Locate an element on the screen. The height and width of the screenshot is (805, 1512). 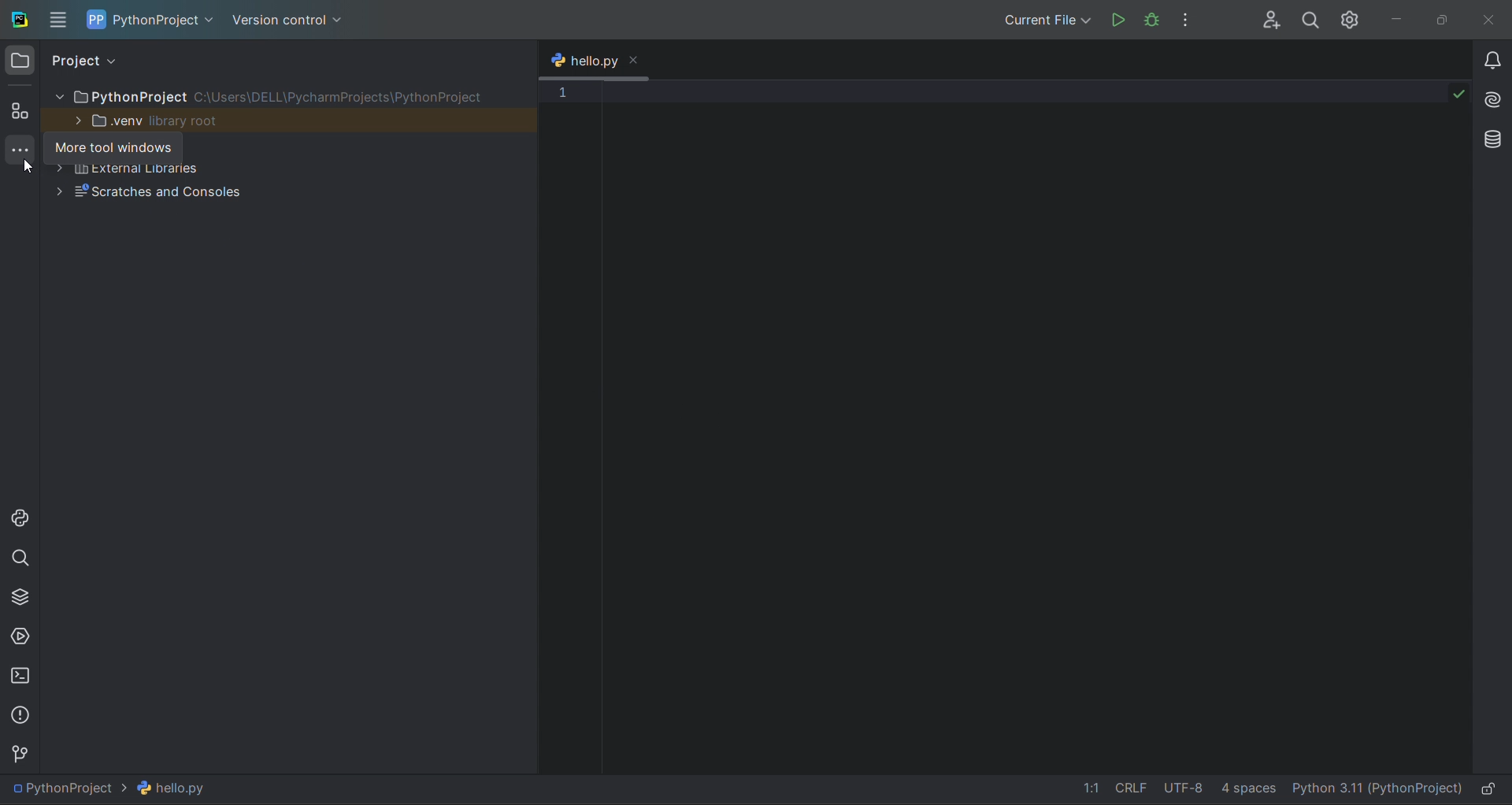
search is located at coordinates (22, 558).